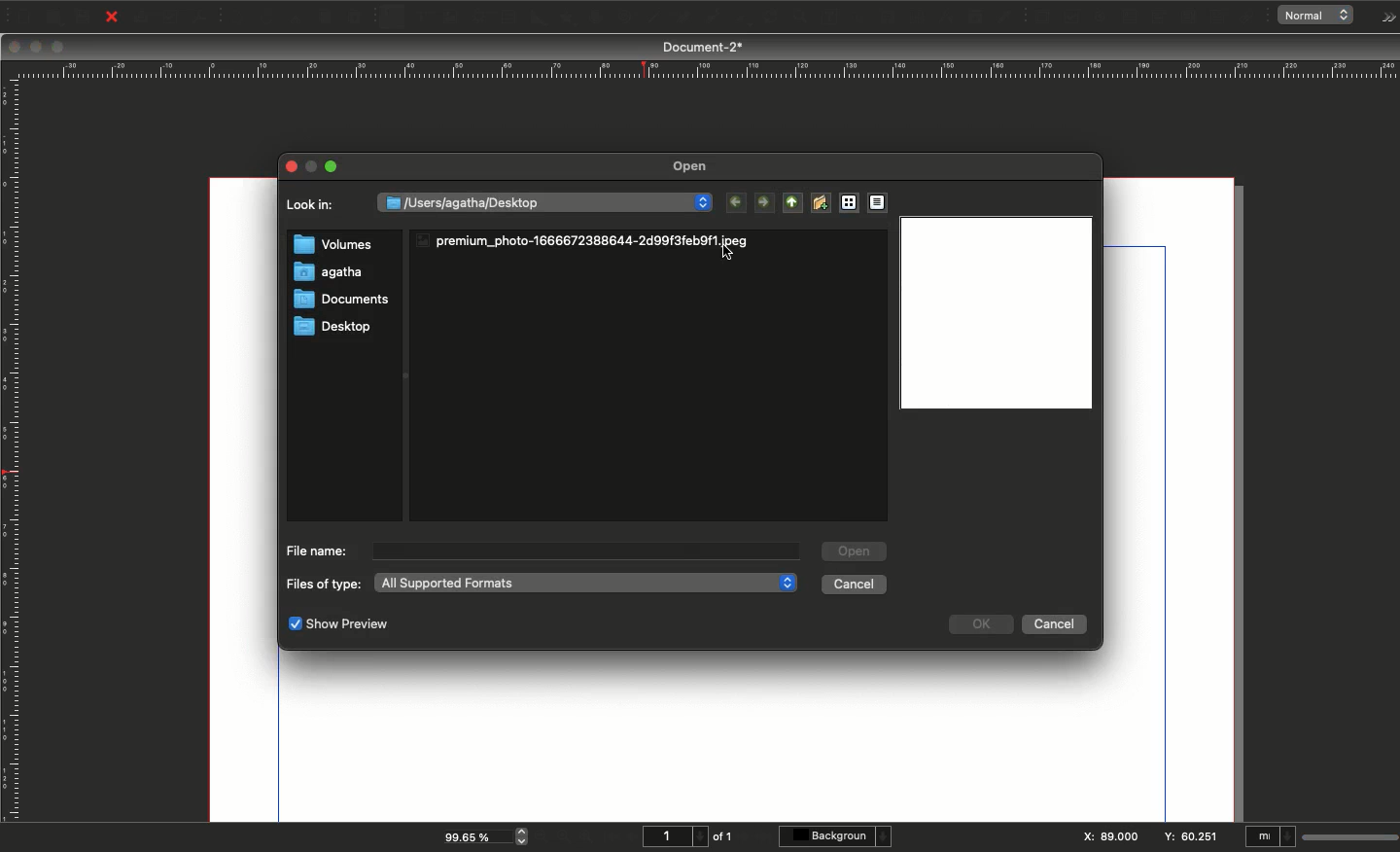 This screenshot has width=1400, height=852. Describe the element at coordinates (202, 17) in the screenshot. I see `Save as PDF` at that location.